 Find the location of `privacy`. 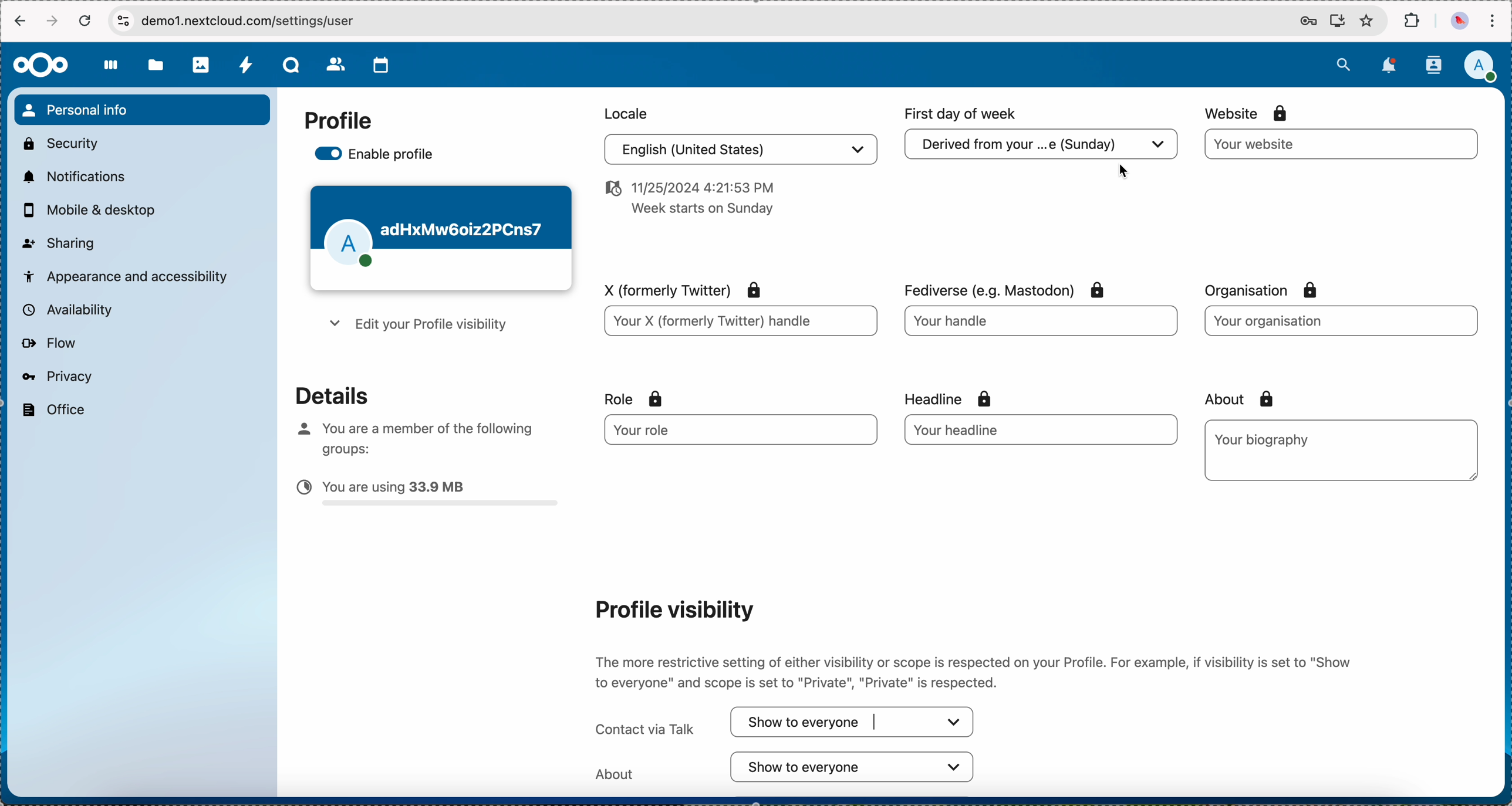

privacy is located at coordinates (56, 376).